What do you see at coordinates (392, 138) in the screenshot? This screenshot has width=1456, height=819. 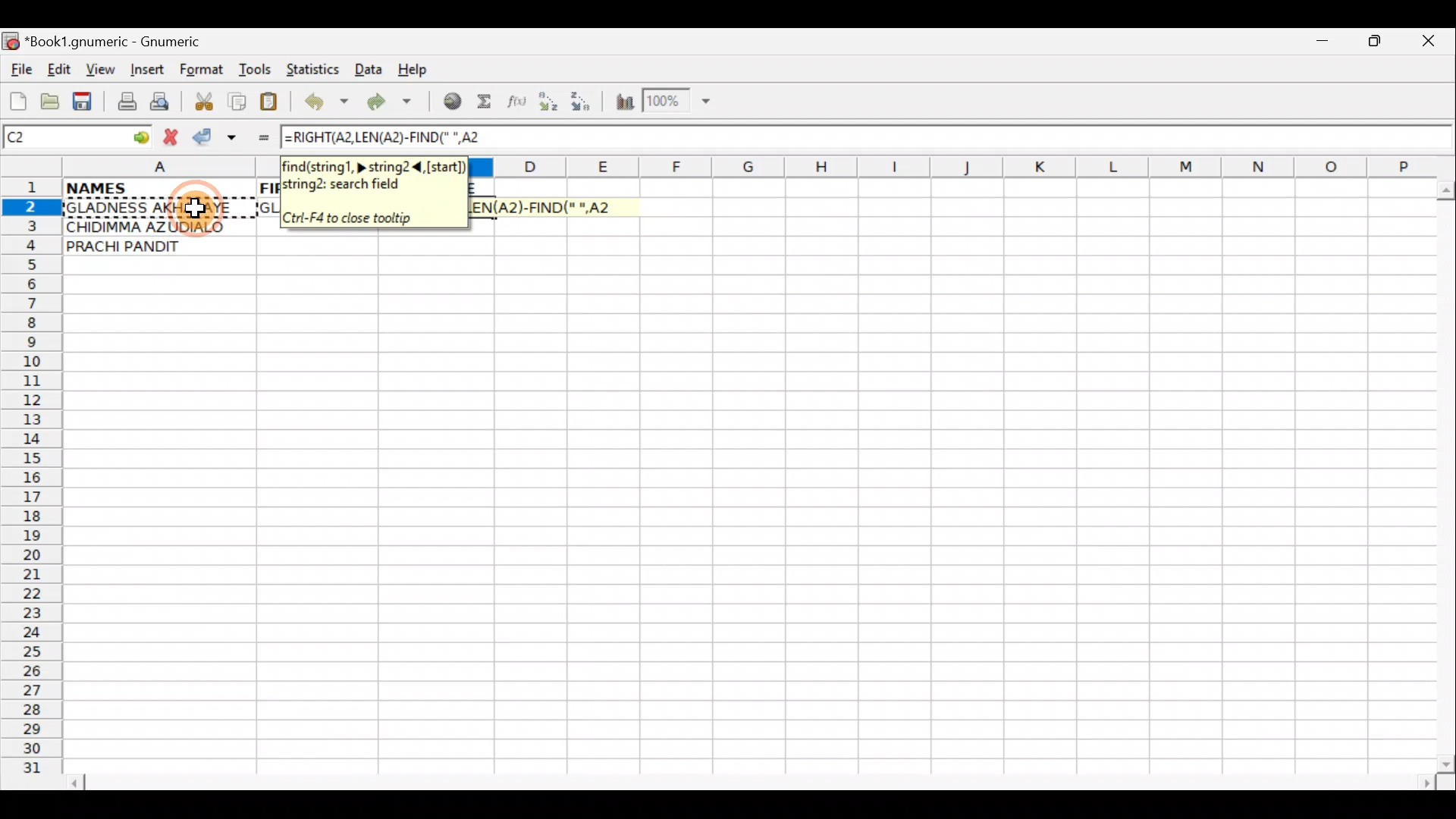 I see `=RIGHT(A2,LEN(A2)-FIND(" ",A2` at bounding box center [392, 138].